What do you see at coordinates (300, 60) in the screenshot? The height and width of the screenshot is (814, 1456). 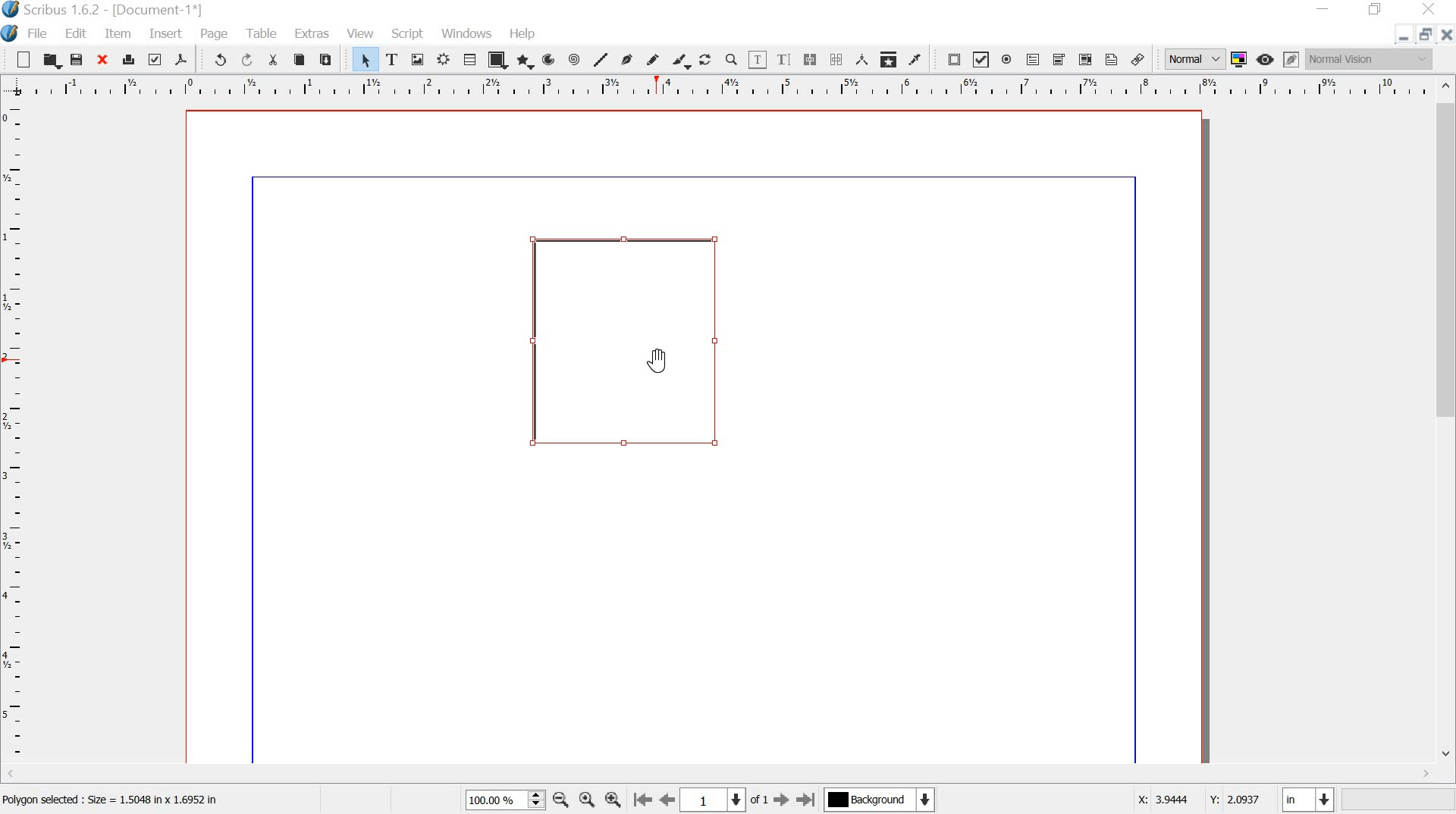 I see `copy` at bounding box center [300, 60].